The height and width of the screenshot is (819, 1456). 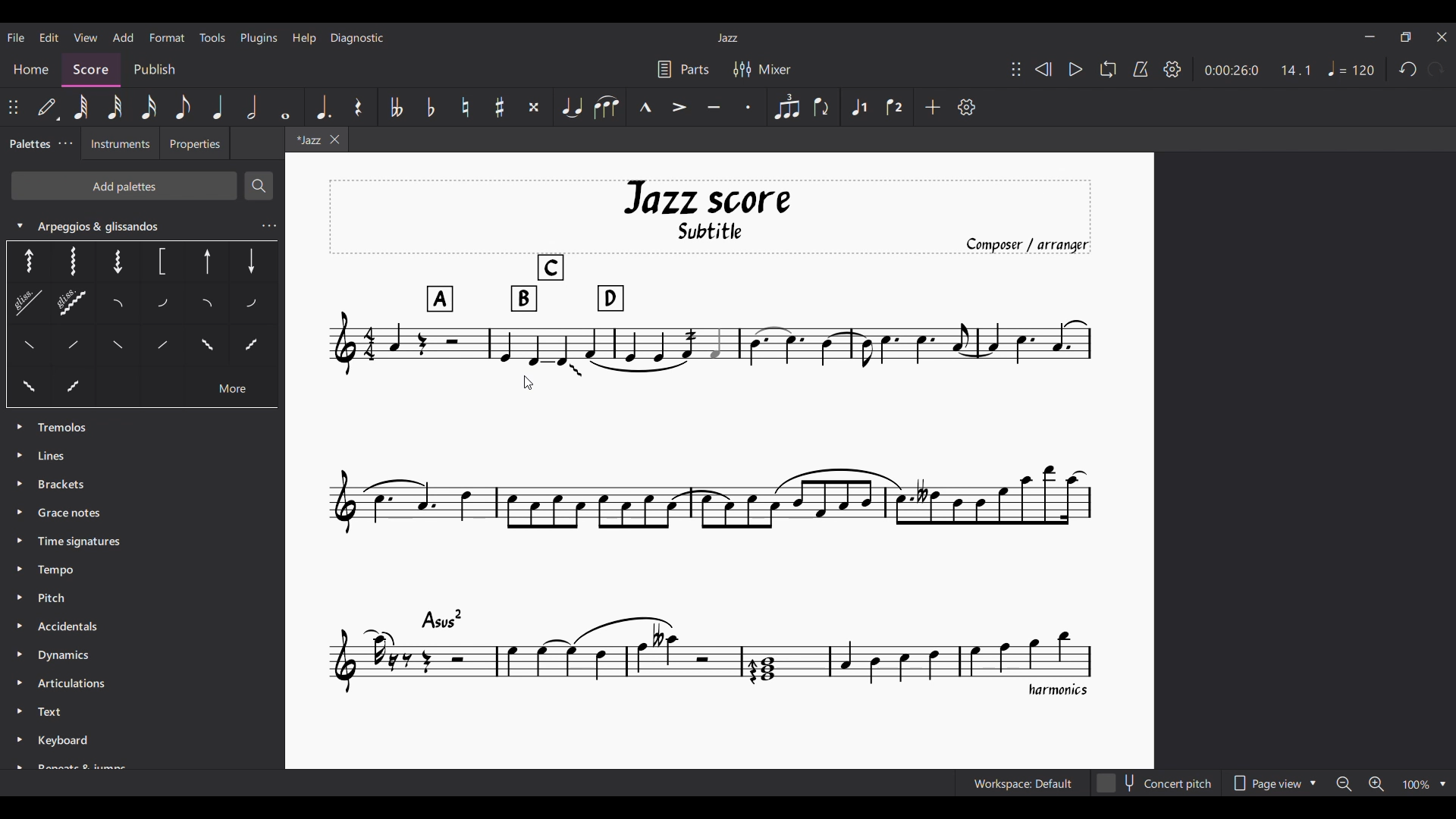 I want to click on Current selection highlighted, so click(x=27, y=304).